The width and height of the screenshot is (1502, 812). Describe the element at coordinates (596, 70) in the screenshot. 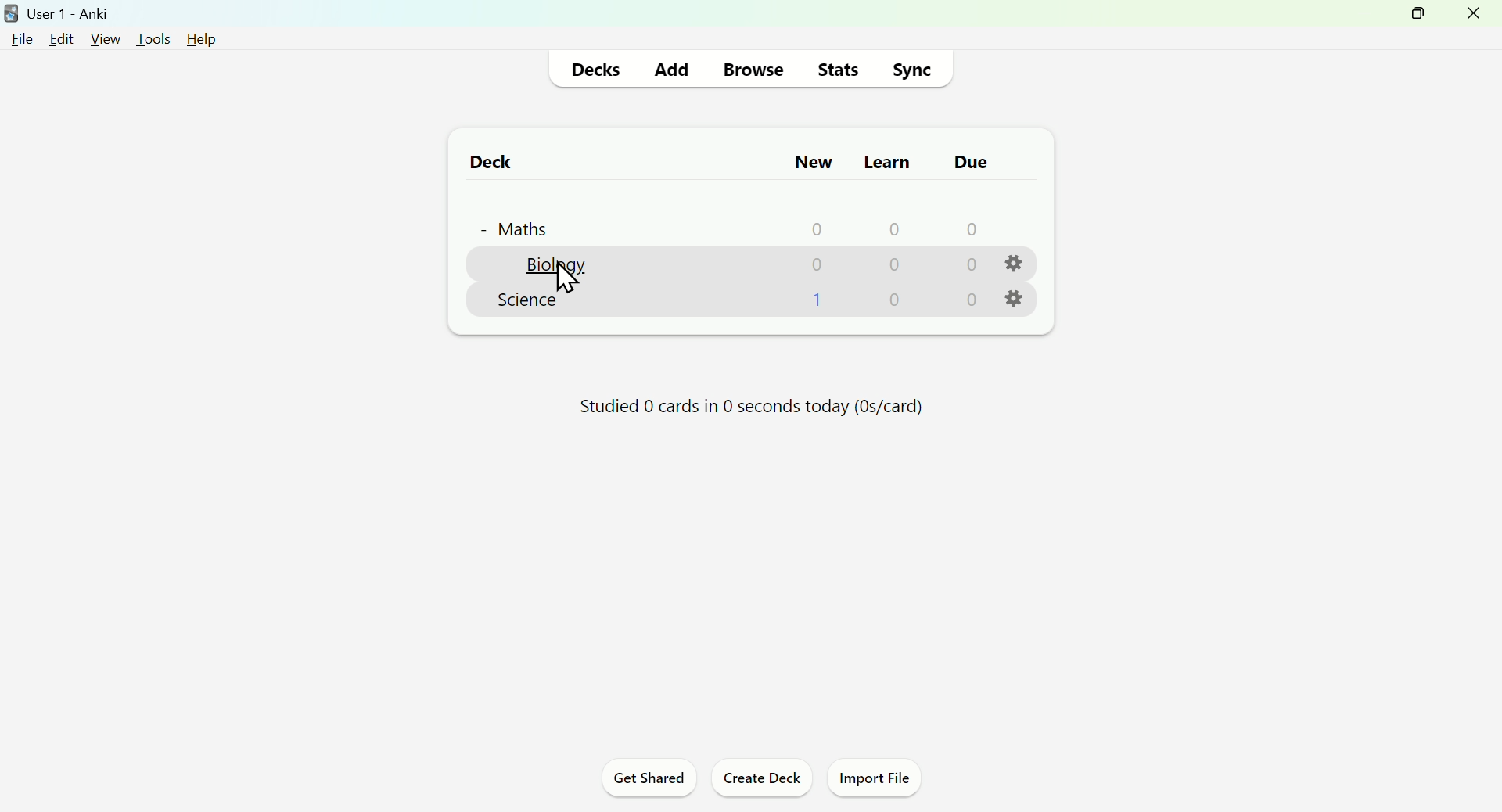

I see `Decks` at that location.